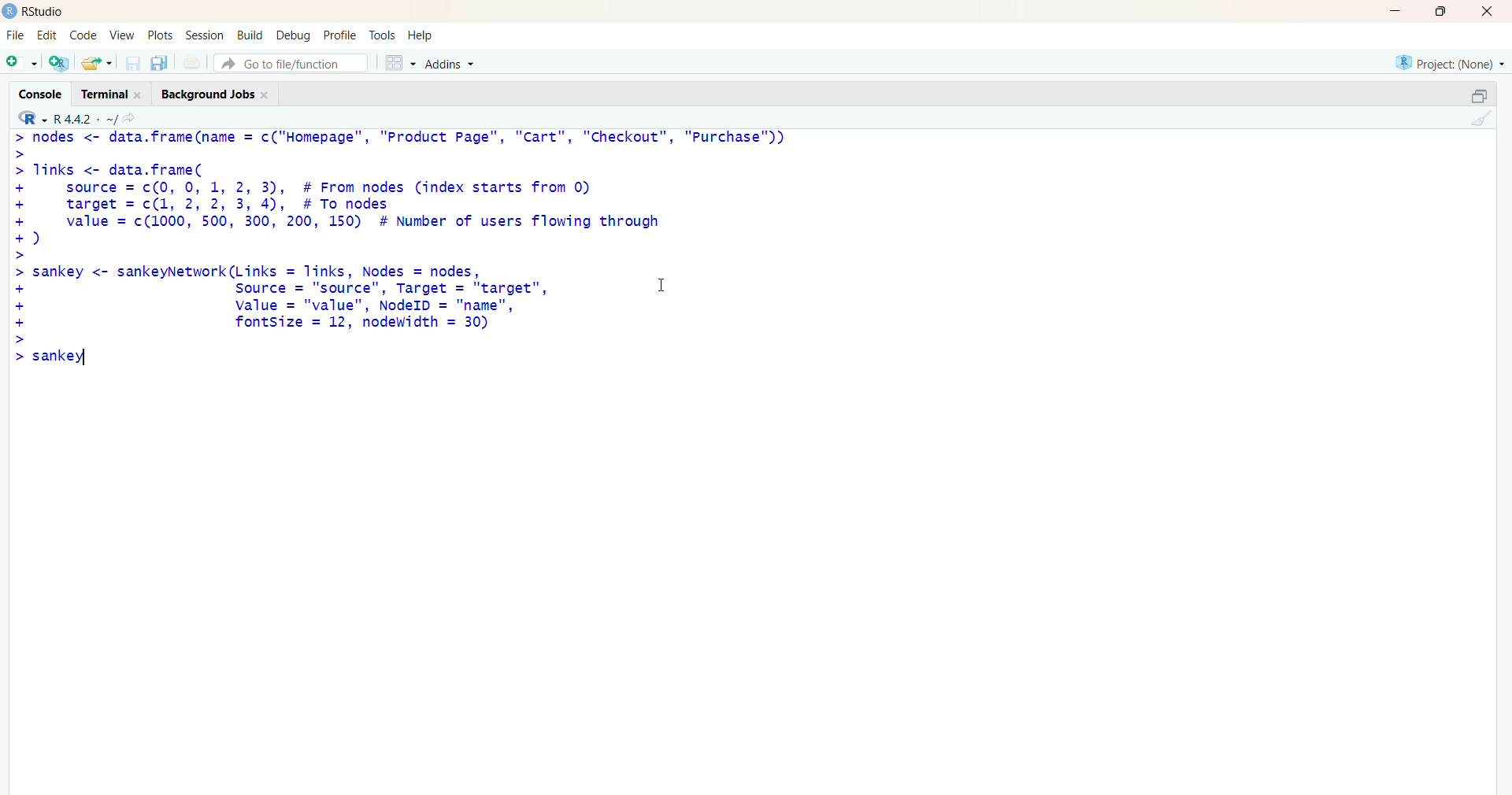 This screenshot has width=1512, height=795. Describe the element at coordinates (120, 35) in the screenshot. I see `view` at that location.